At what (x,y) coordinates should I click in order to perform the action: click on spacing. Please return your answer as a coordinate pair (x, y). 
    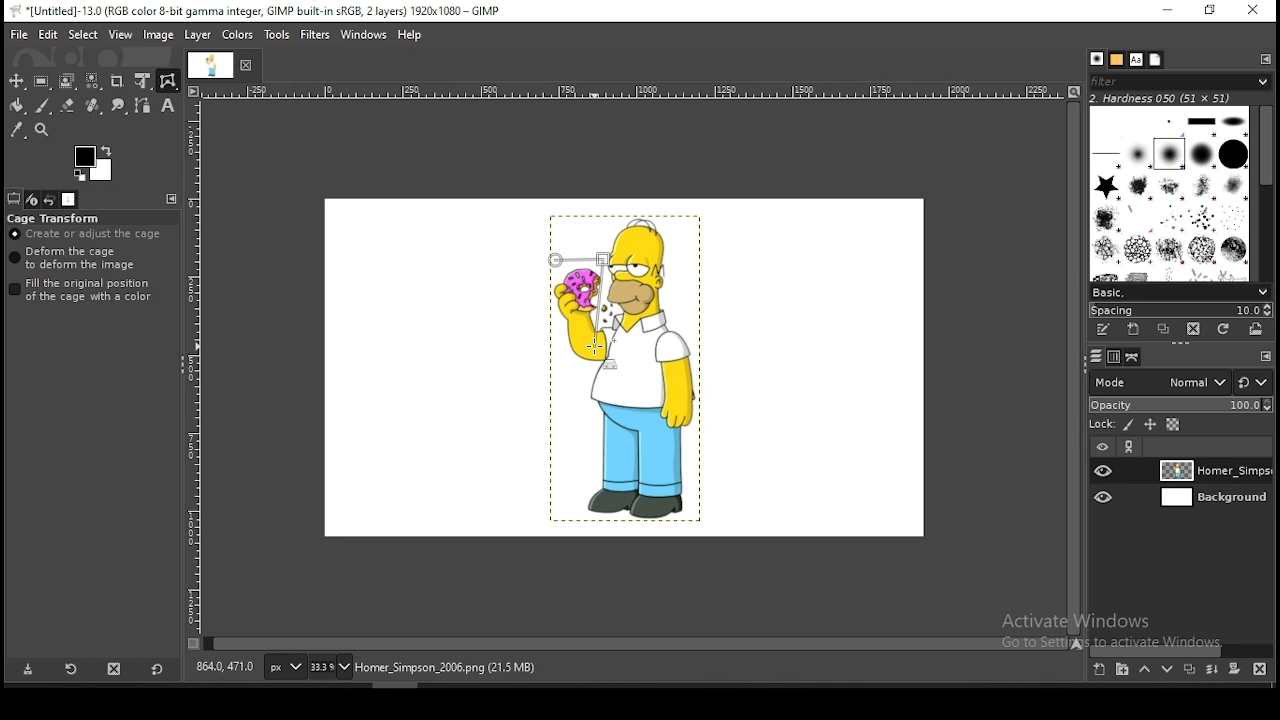
    Looking at the image, I should click on (1180, 309).